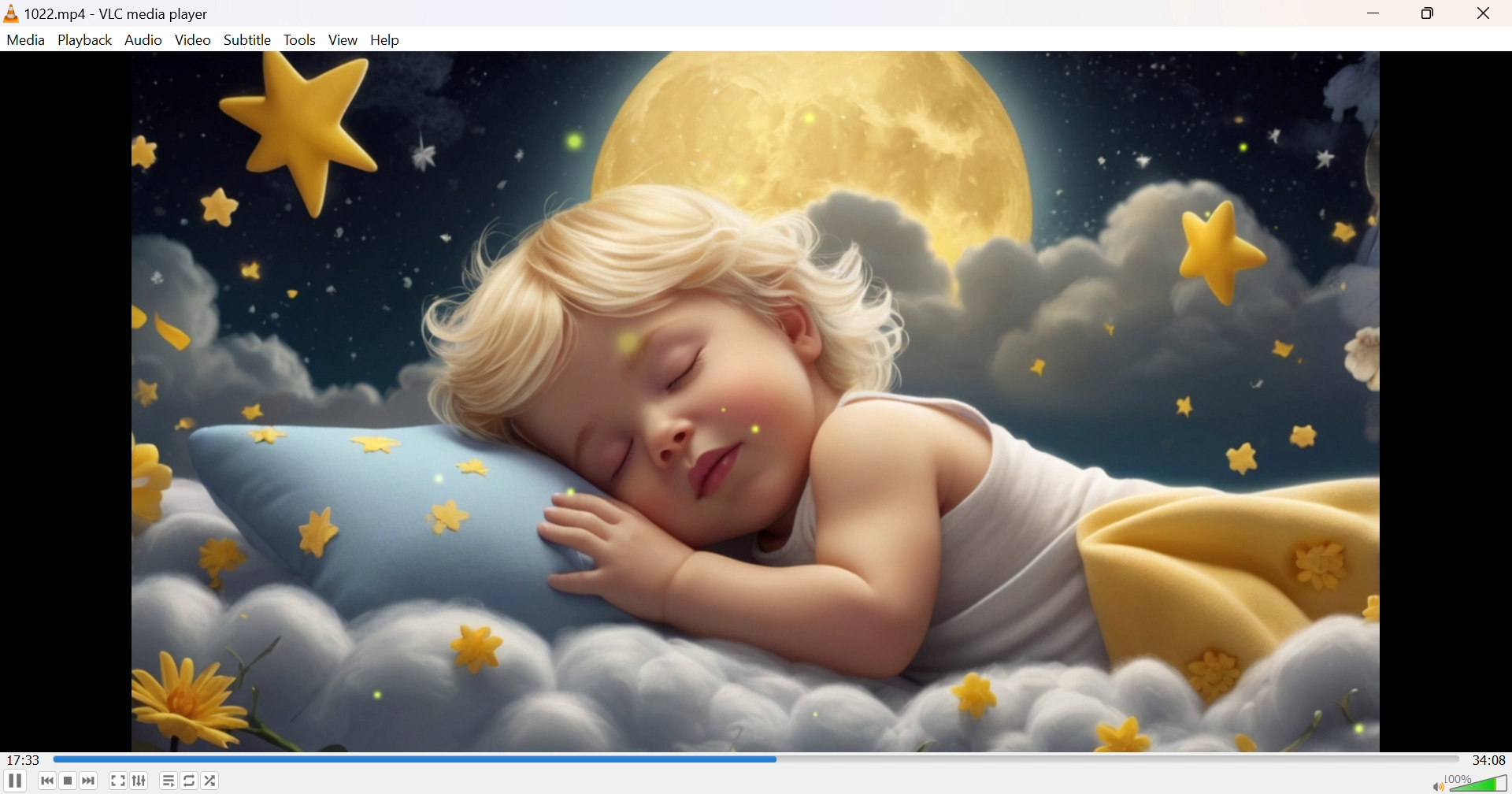  I want to click on 1022.mp4 - VLC media player, so click(107, 13).